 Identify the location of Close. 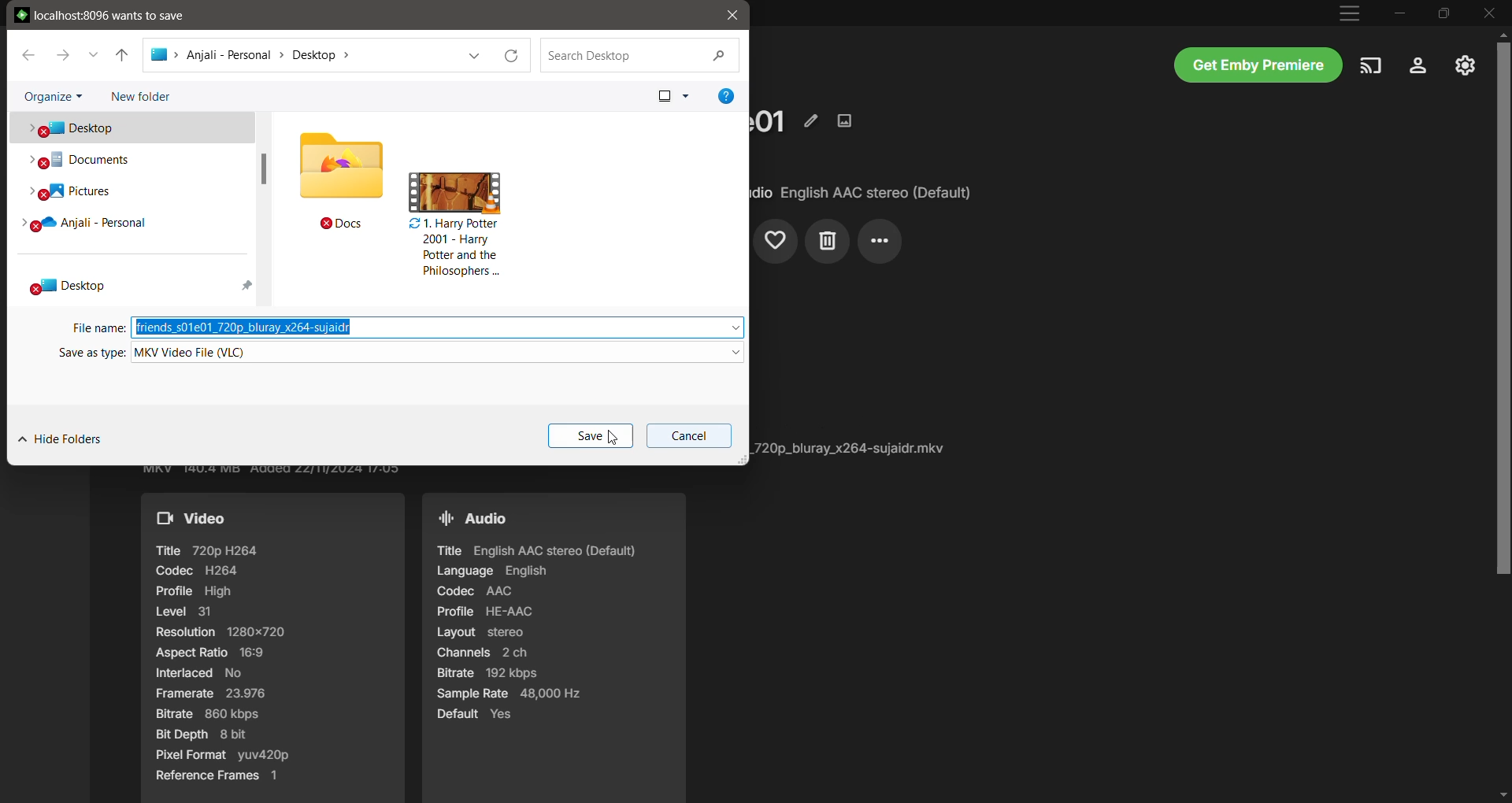
(1490, 13).